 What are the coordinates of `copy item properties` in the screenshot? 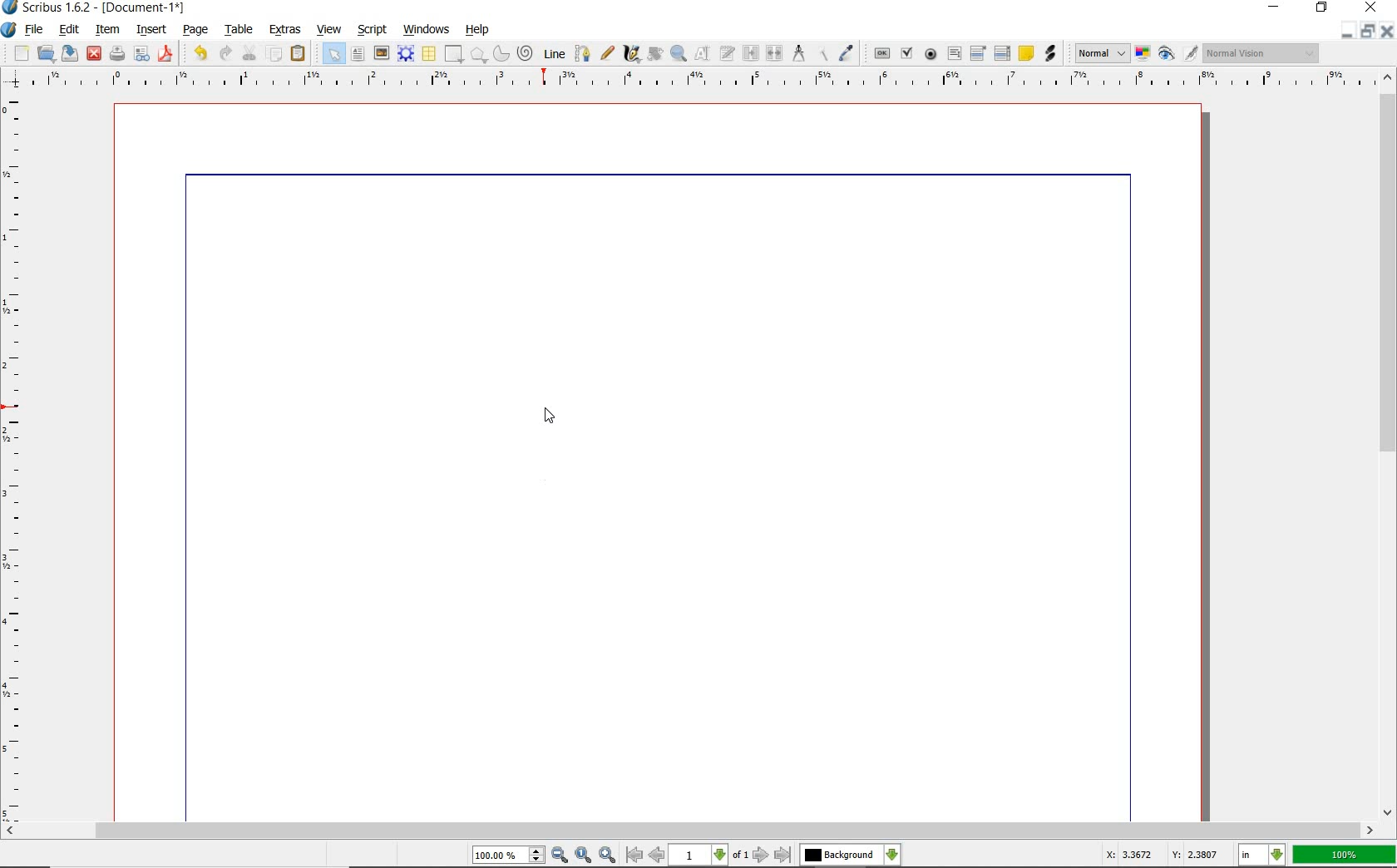 It's located at (822, 52).